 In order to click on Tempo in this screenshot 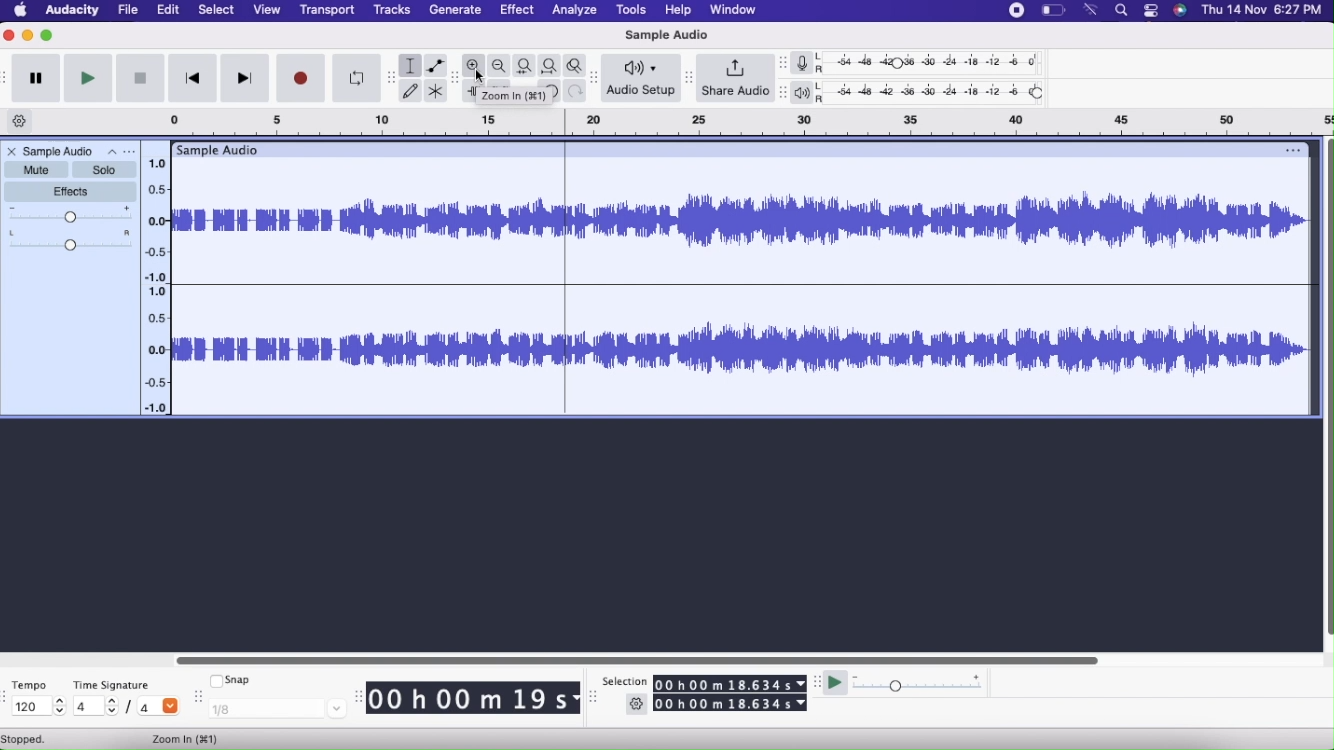, I will do `click(30, 683)`.